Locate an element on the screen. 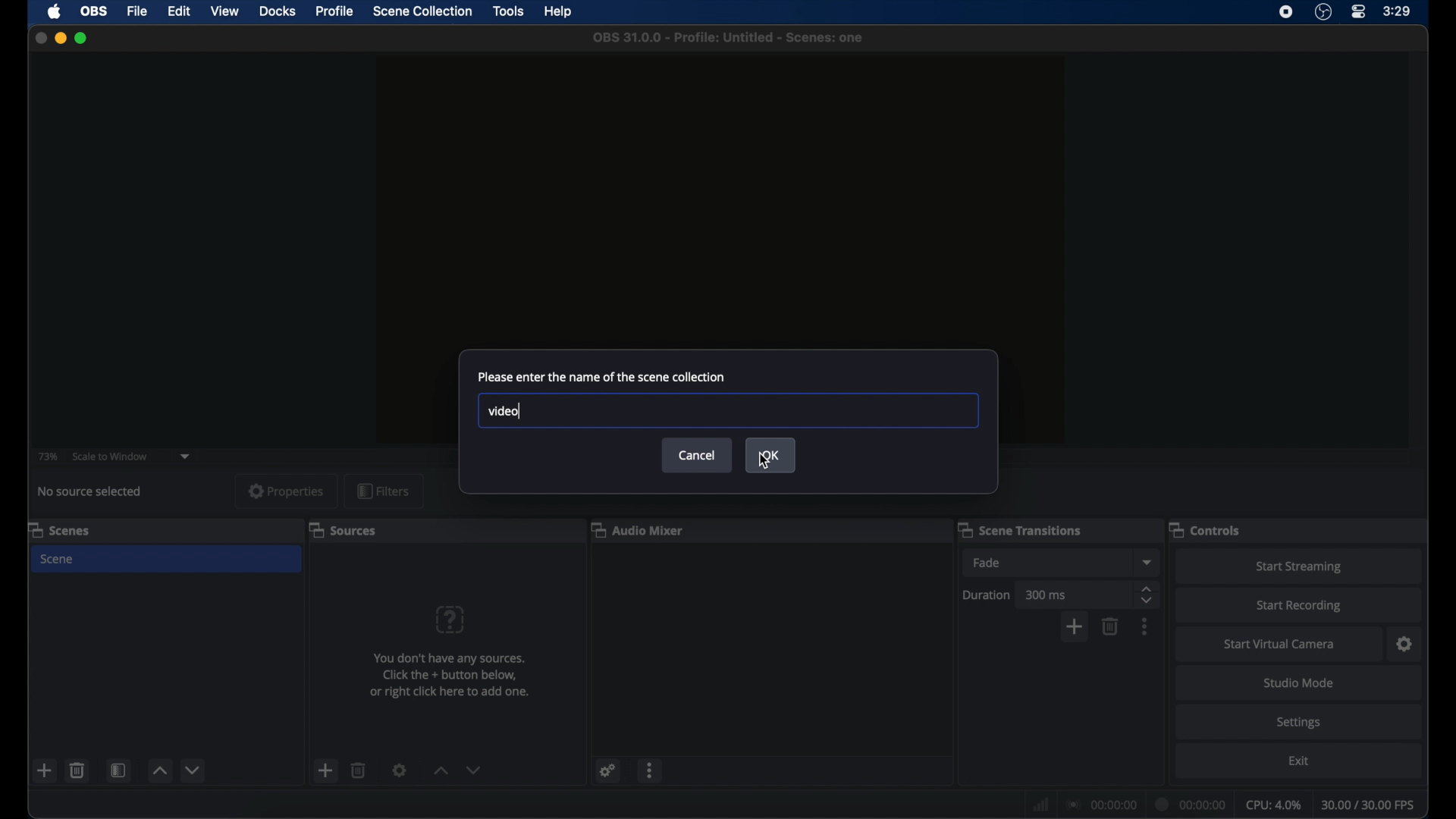  help is located at coordinates (560, 12).